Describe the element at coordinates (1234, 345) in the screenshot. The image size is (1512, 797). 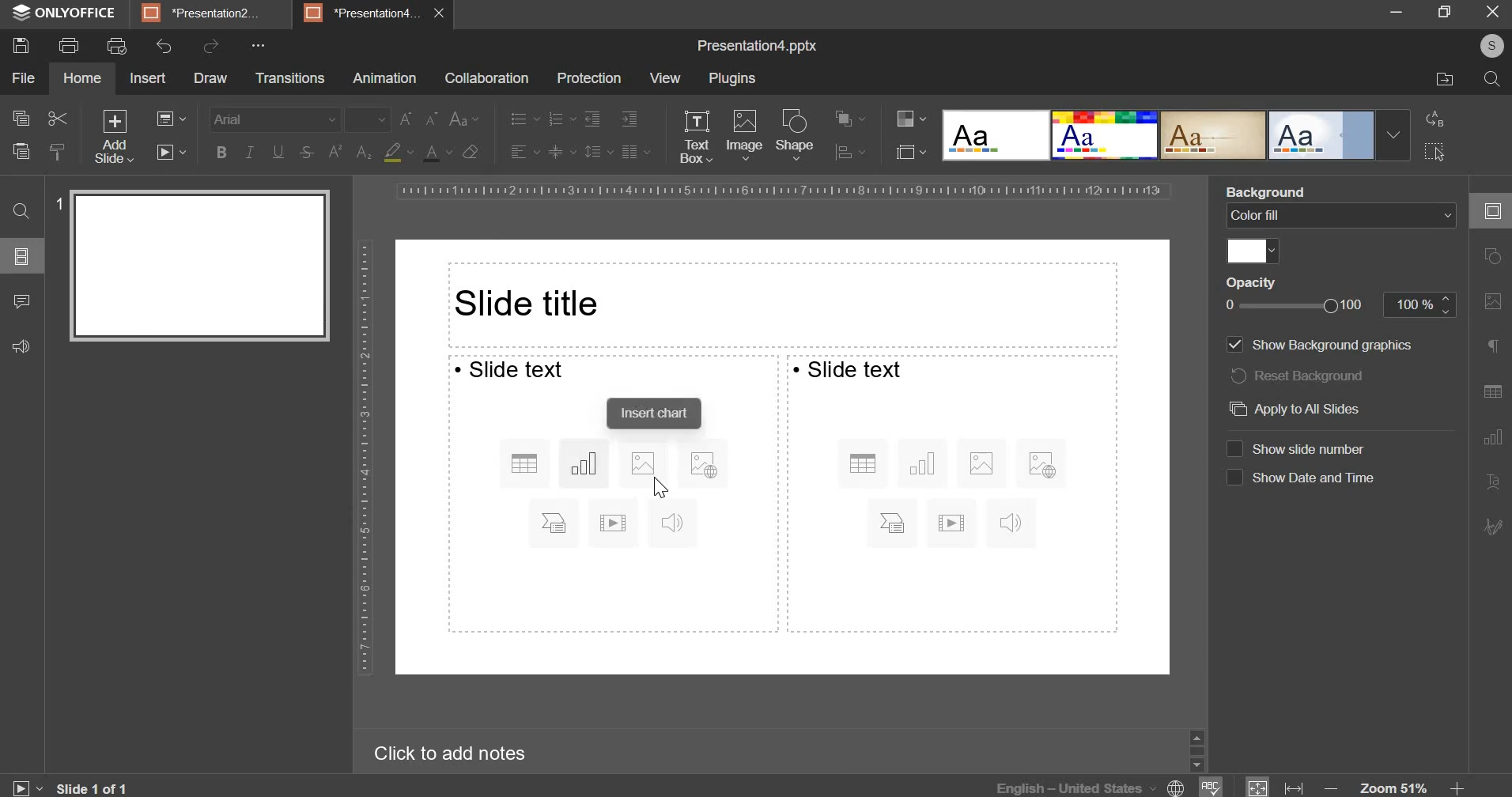
I see `show background graphics` at that location.